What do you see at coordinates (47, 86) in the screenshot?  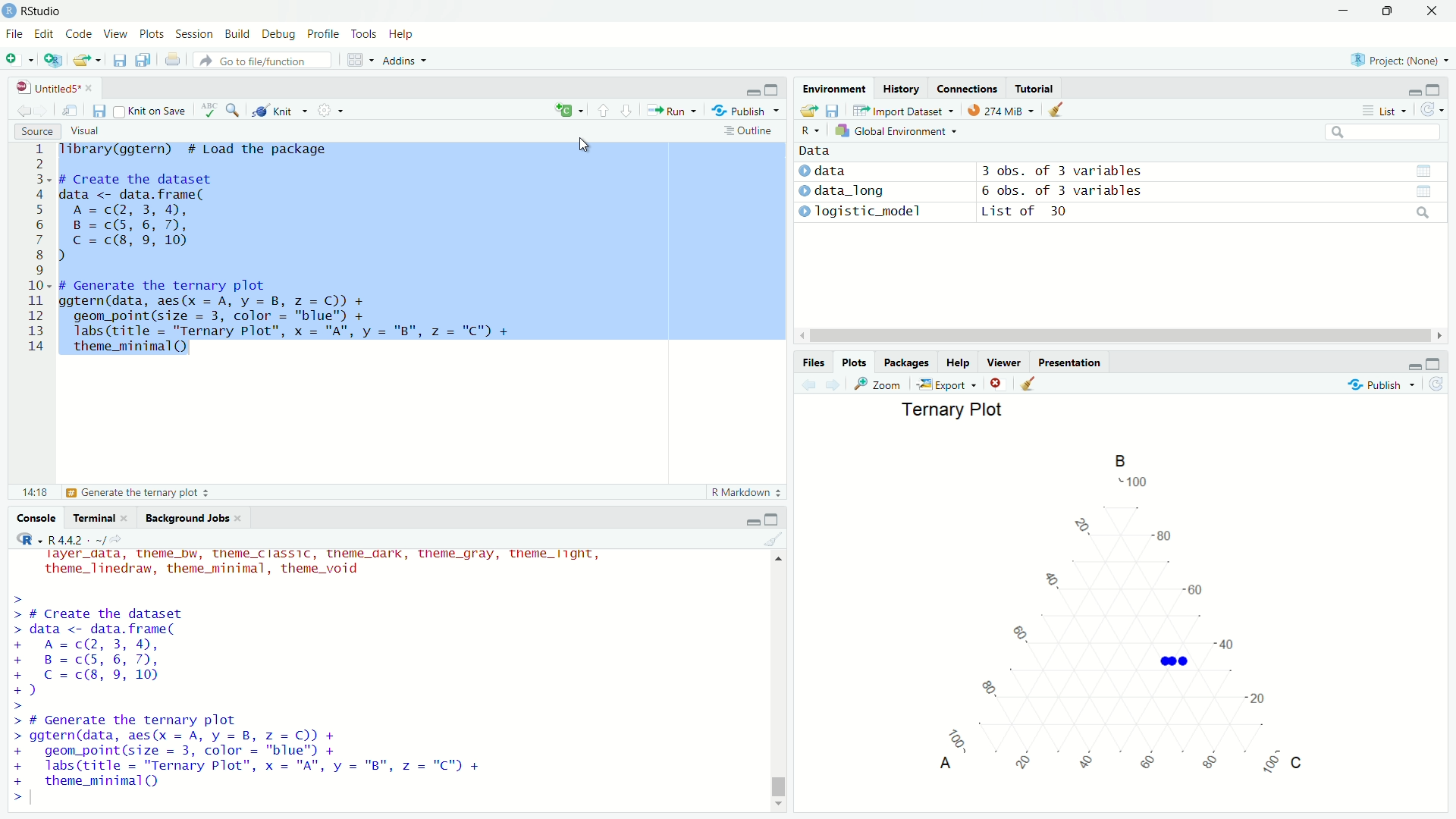 I see `) | UntitledS*` at bounding box center [47, 86].